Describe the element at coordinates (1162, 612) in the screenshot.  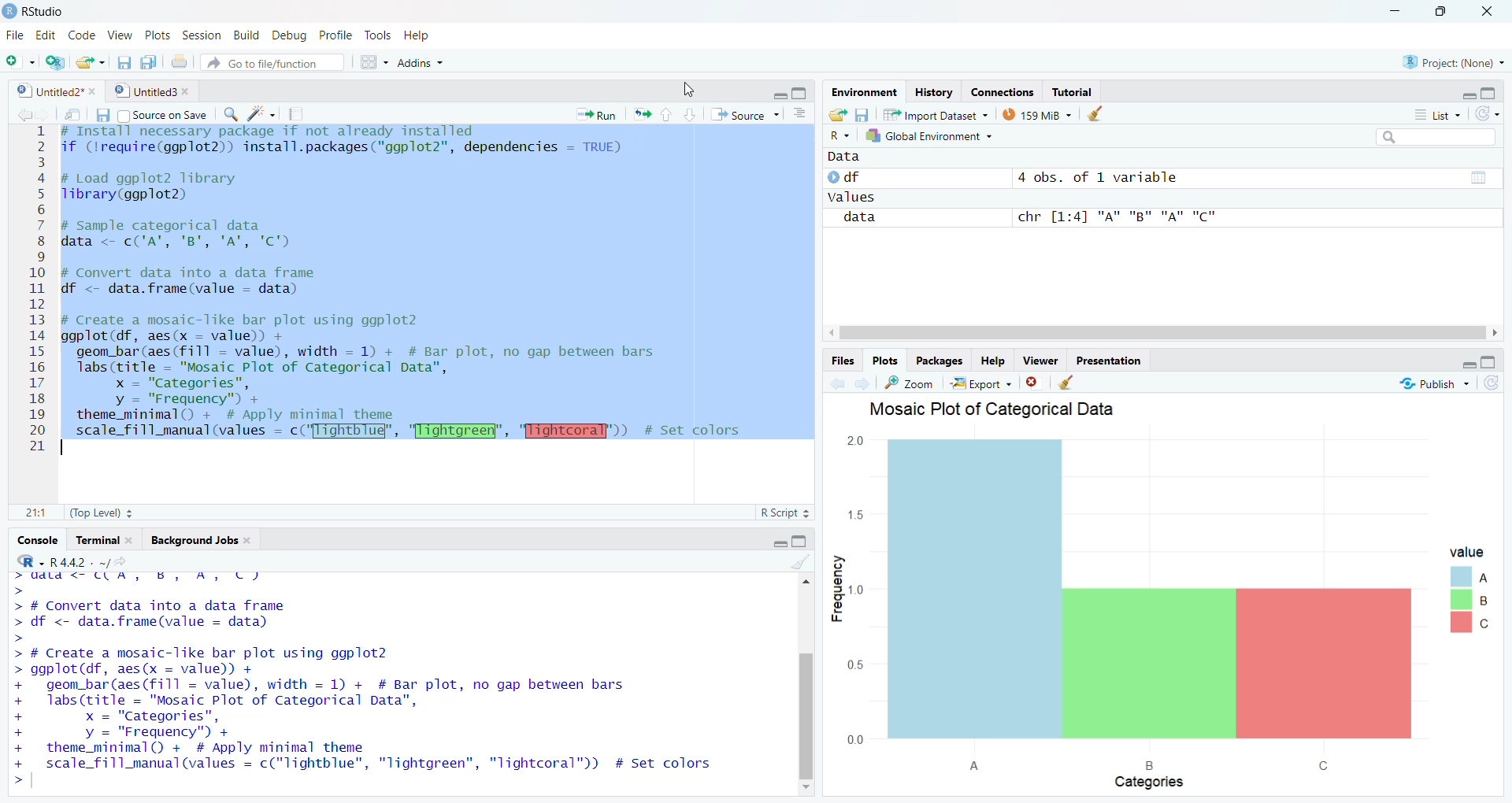
I see `Graph` at that location.